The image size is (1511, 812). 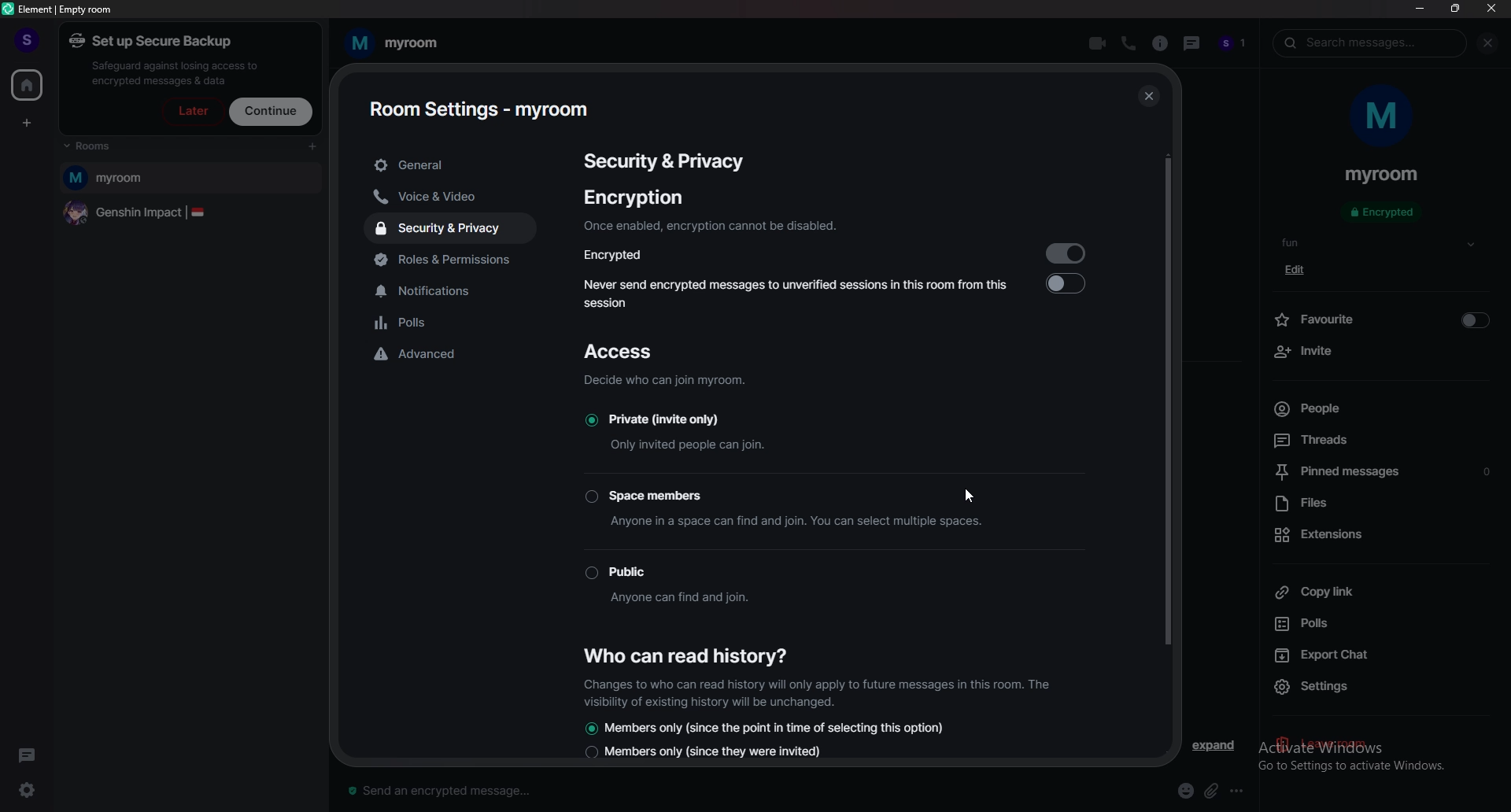 I want to click on  Members only (since the point in time of selecting this option), so click(x=768, y=727).